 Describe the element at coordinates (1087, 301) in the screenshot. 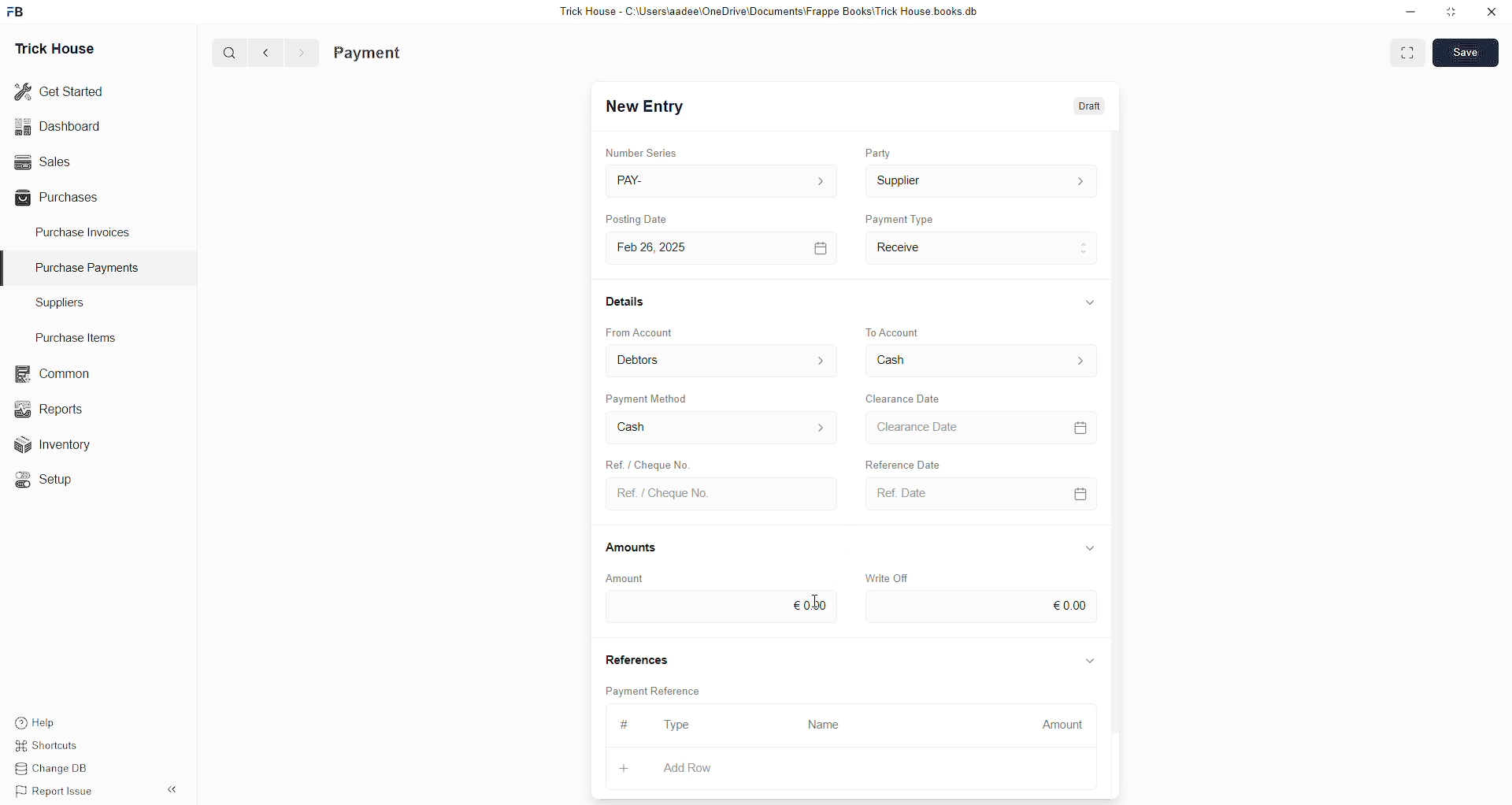

I see `expand` at that location.